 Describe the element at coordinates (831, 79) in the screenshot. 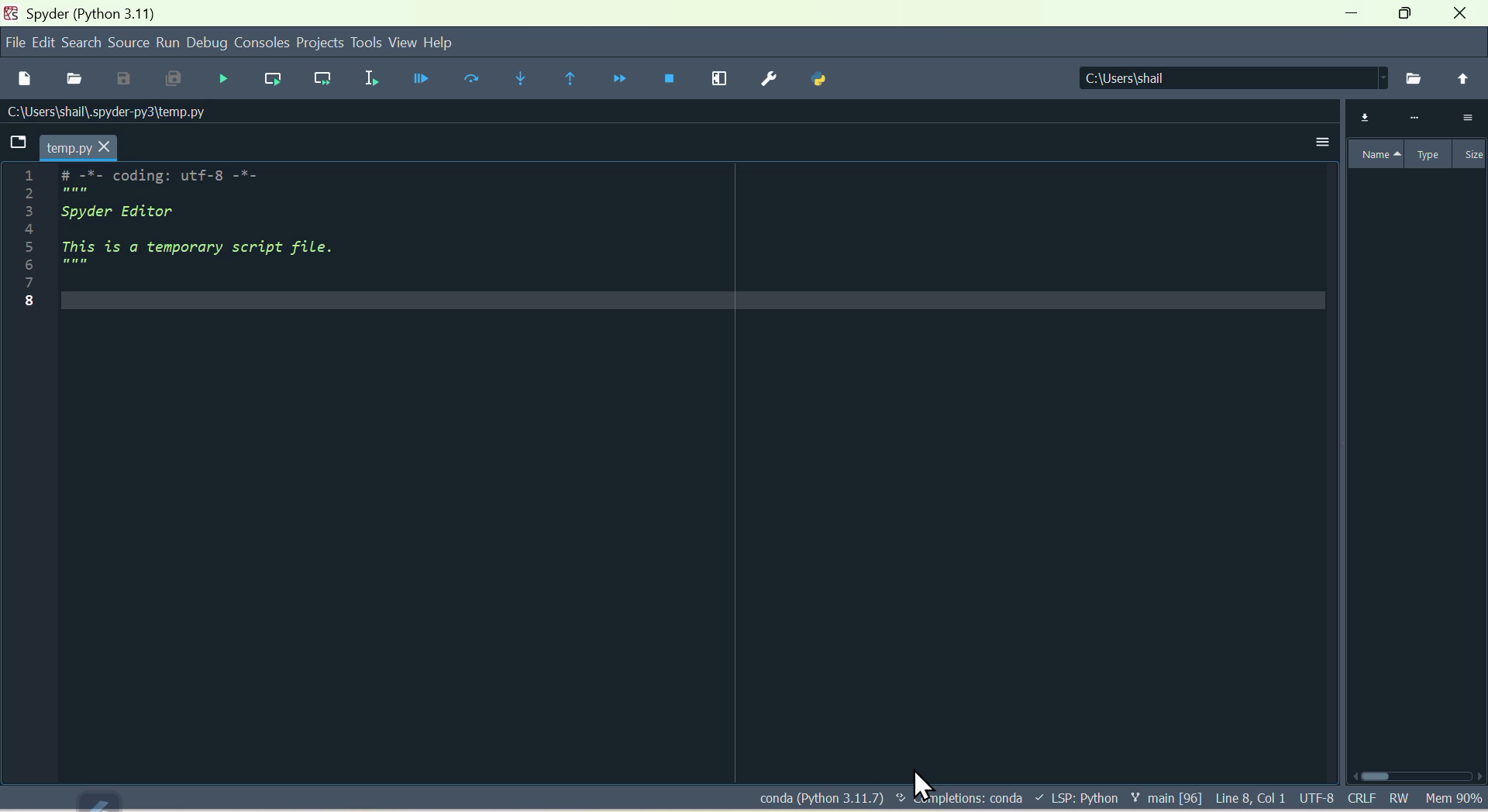

I see `Python path manager` at that location.